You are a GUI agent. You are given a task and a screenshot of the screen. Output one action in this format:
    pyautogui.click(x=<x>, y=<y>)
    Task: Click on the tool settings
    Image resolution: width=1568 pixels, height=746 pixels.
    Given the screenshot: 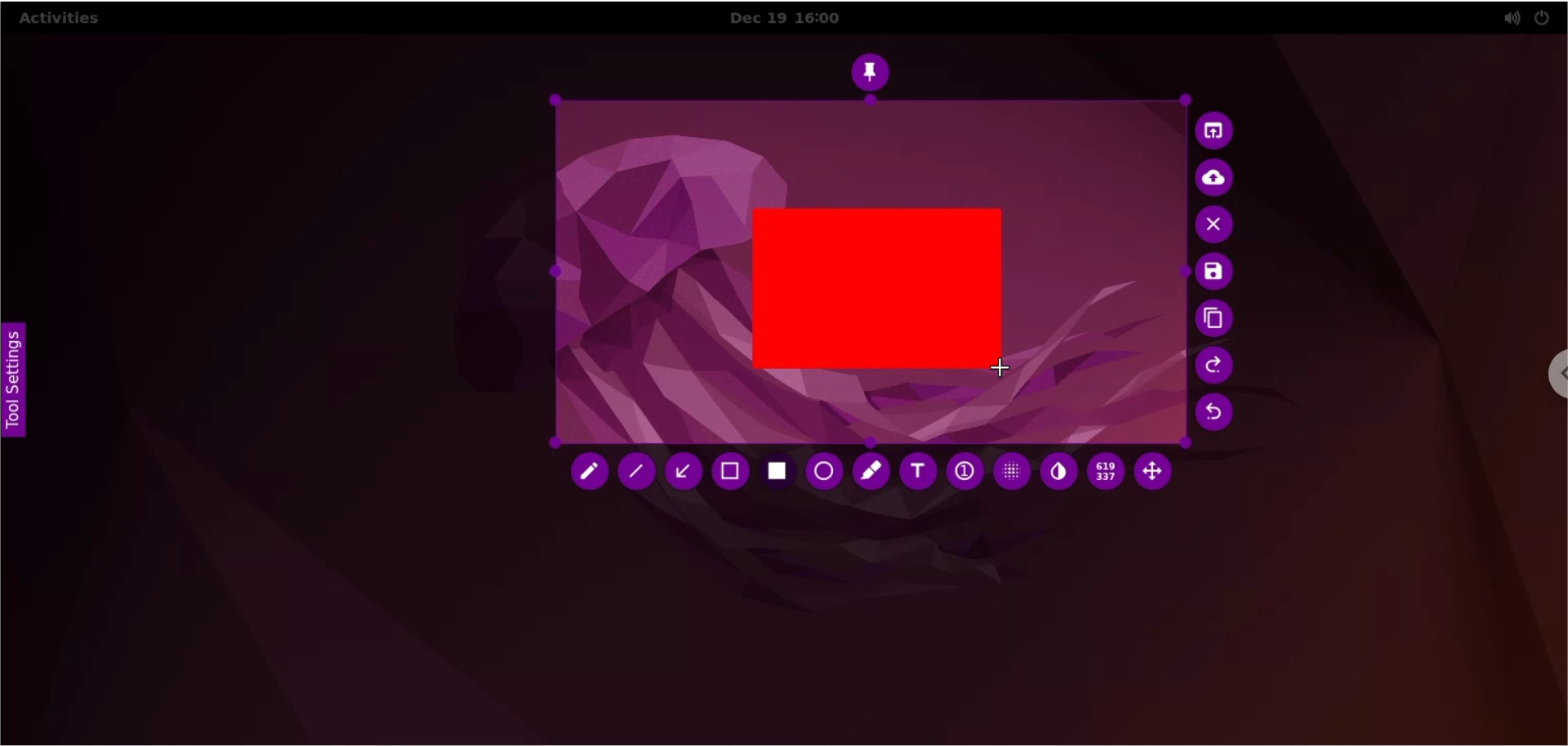 What is the action you would take?
    pyautogui.click(x=19, y=380)
    